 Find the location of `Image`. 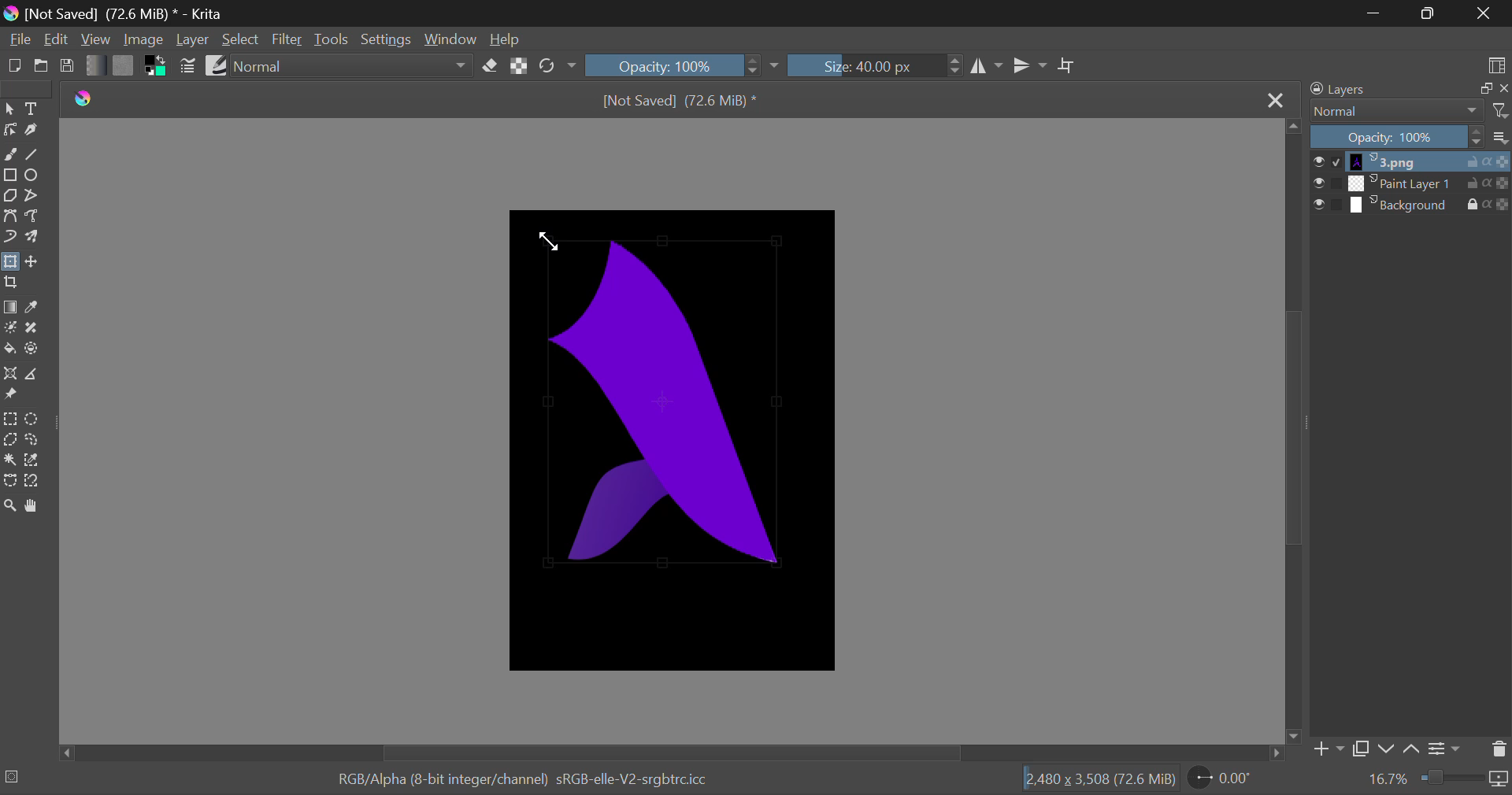

Image is located at coordinates (146, 41).